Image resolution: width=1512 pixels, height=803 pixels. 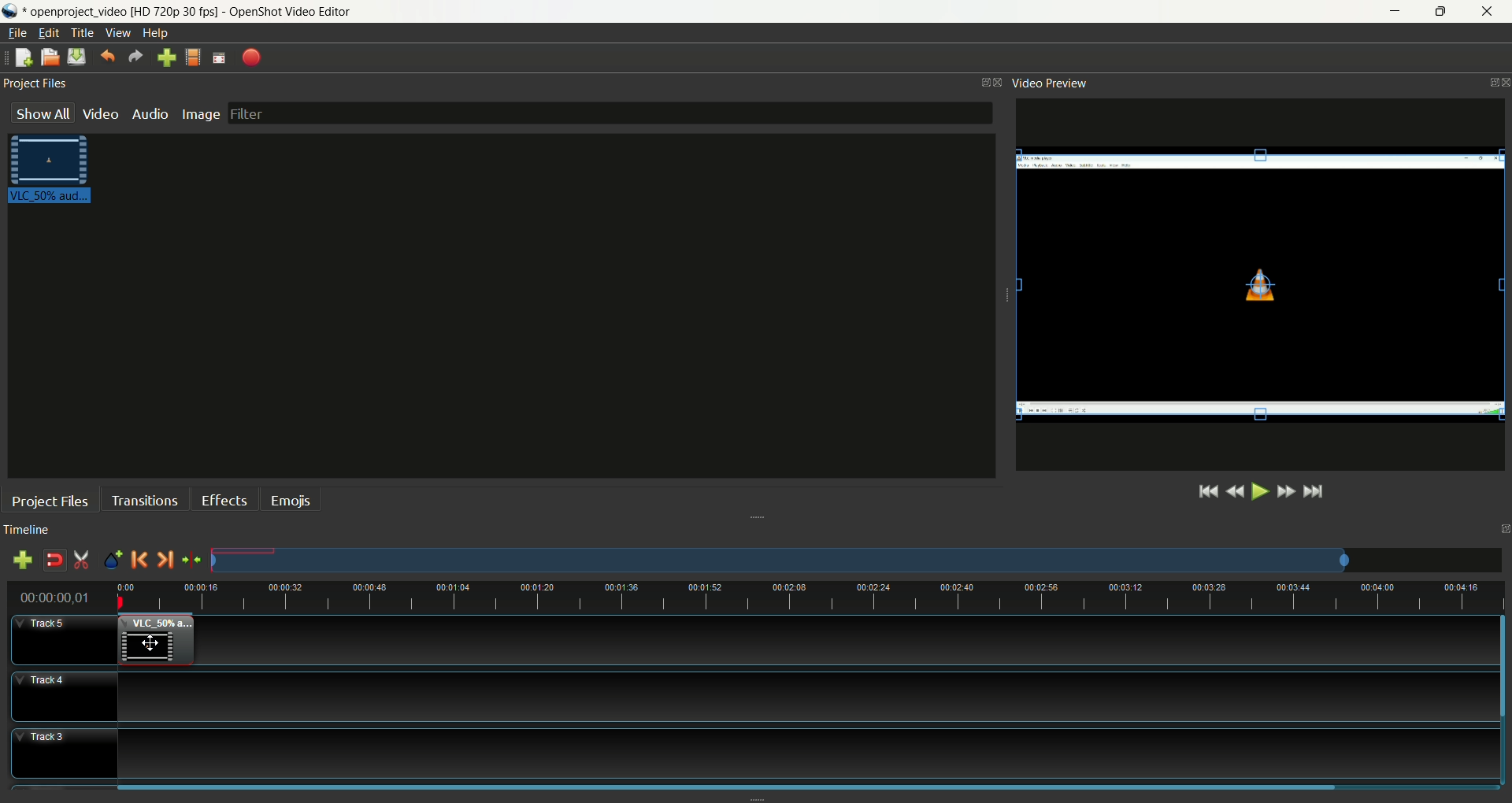 I want to click on jump to end, so click(x=1316, y=492).